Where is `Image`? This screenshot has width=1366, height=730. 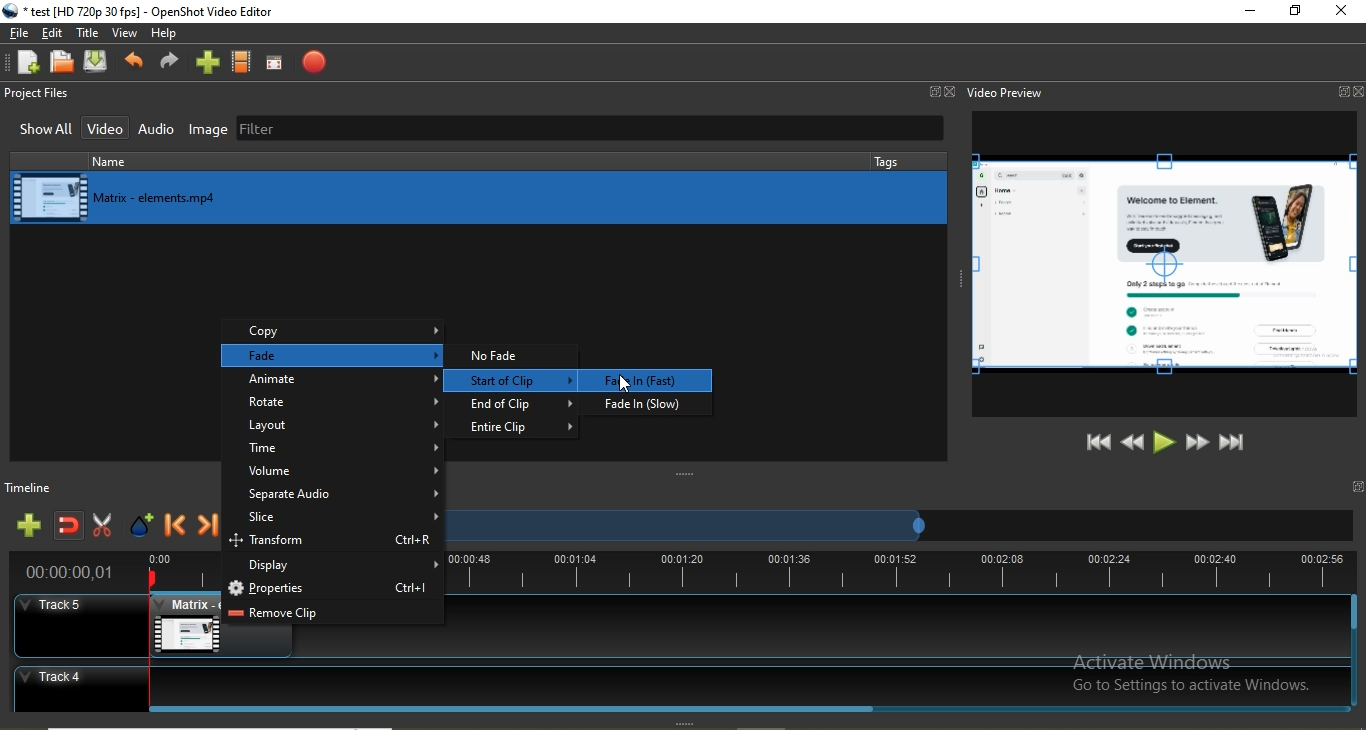
Image is located at coordinates (208, 132).